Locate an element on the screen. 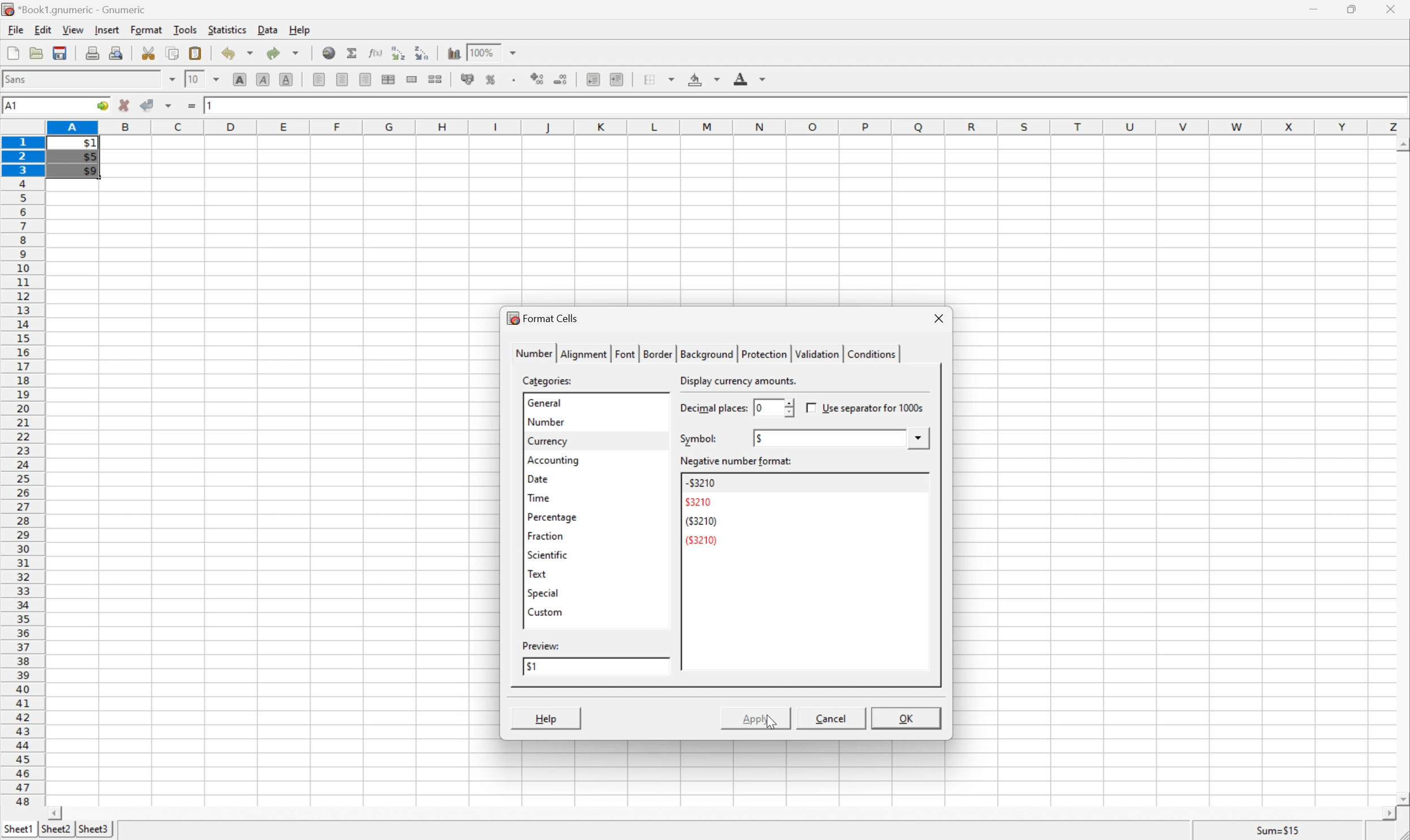  text is located at coordinates (537, 573).